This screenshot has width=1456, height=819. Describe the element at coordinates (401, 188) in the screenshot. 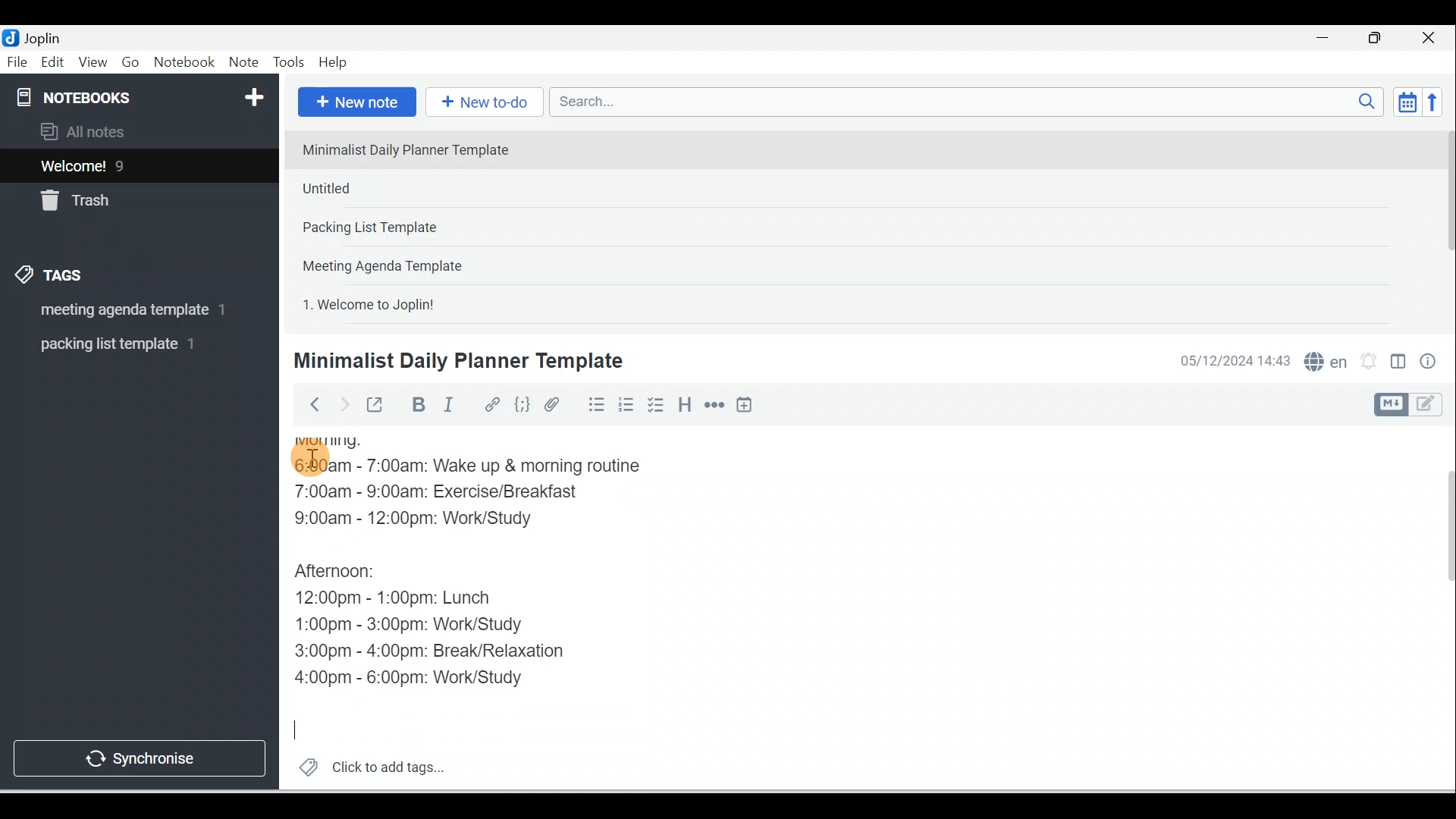

I see `Note 2` at that location.